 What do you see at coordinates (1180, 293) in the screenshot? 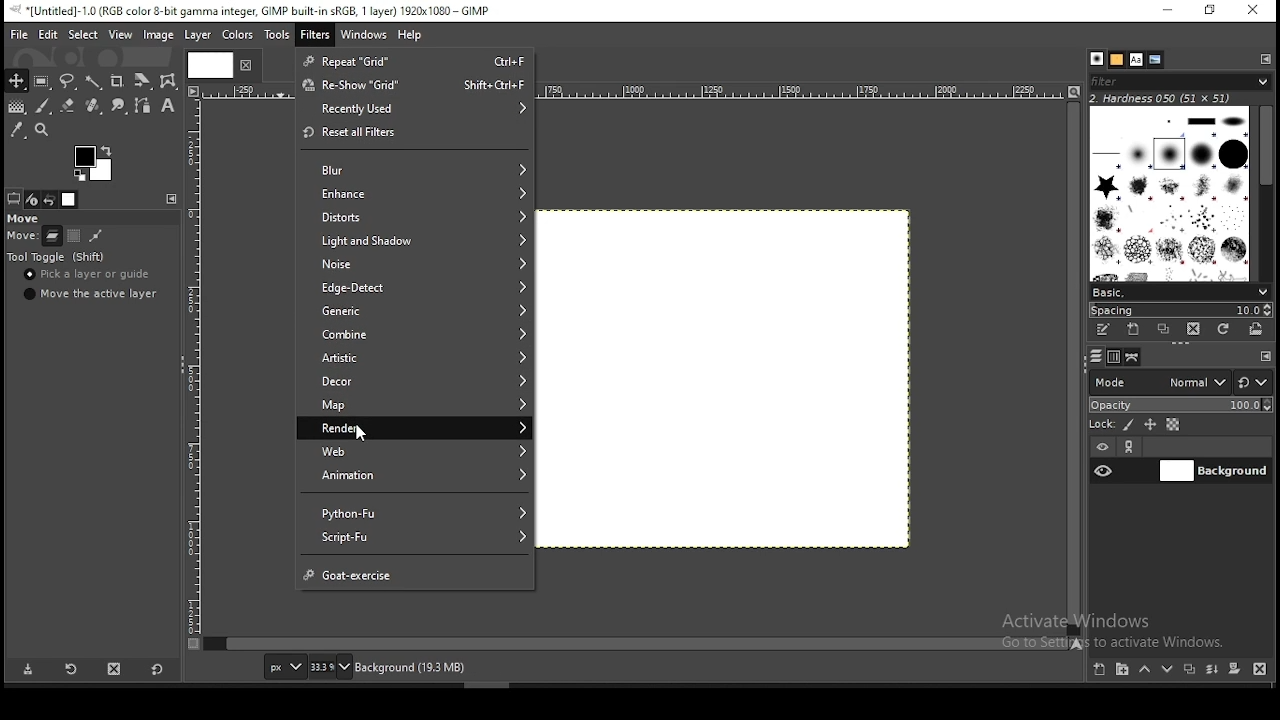
I see `brush presets` at bounding box center [1180, 293].